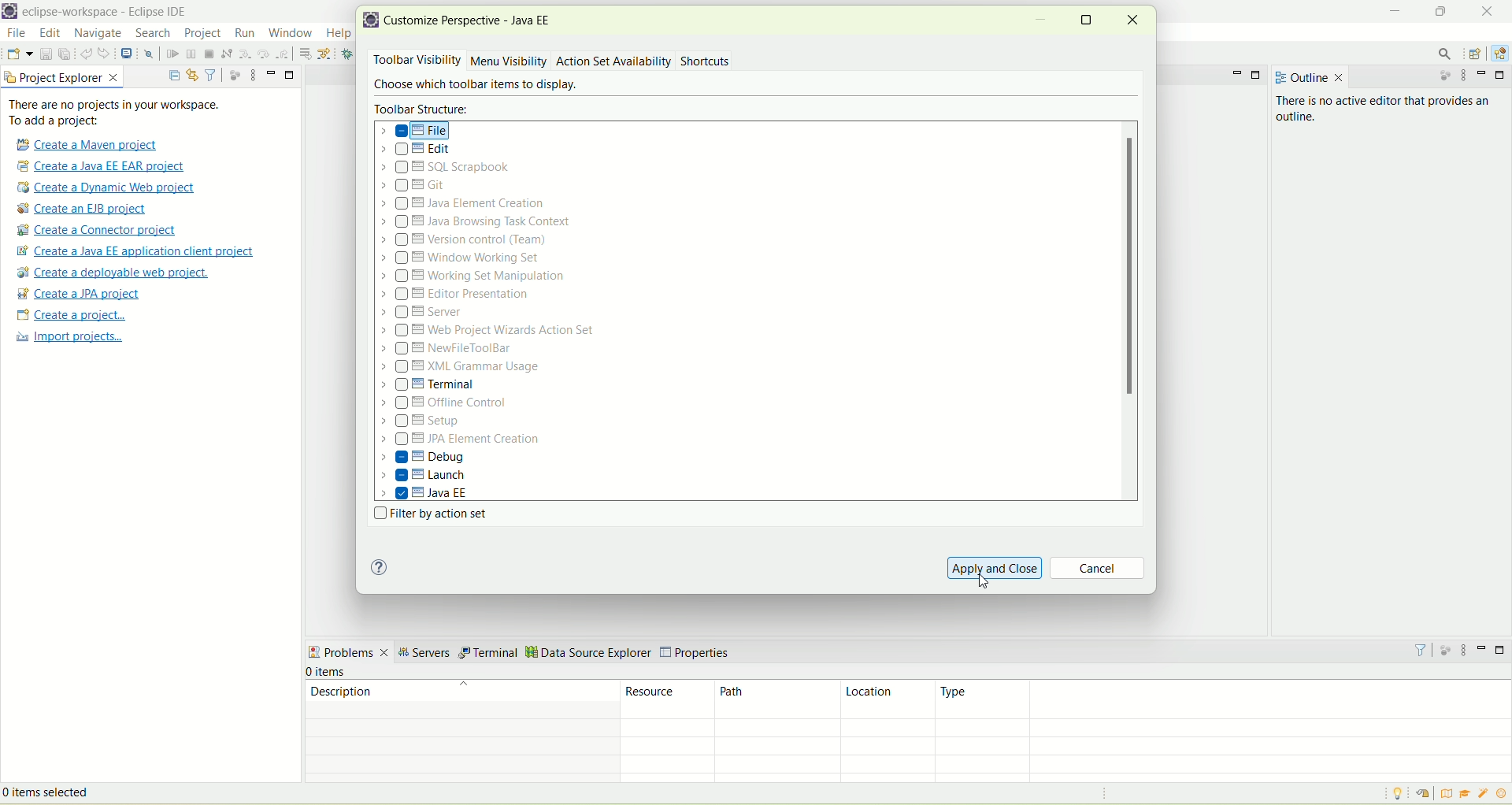 The height and width of the screenshot is (805, 1512). Describe the element at coordinates (291, 43) in the screenshot. I see `cursor` at that location.